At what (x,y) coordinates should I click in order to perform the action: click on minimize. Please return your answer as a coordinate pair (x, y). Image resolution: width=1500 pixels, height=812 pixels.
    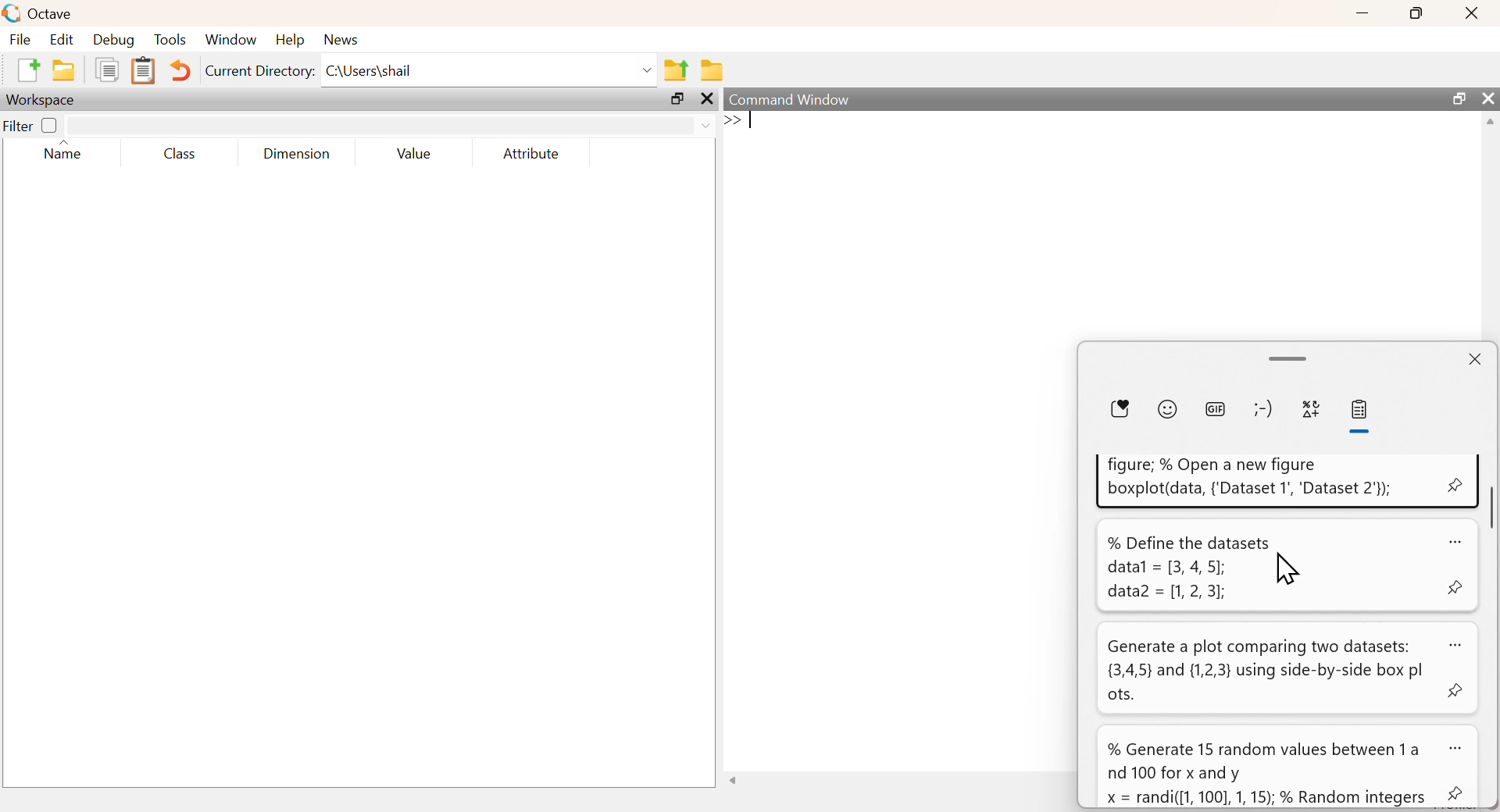
    Looking at the image, I should click on (1362, 12).